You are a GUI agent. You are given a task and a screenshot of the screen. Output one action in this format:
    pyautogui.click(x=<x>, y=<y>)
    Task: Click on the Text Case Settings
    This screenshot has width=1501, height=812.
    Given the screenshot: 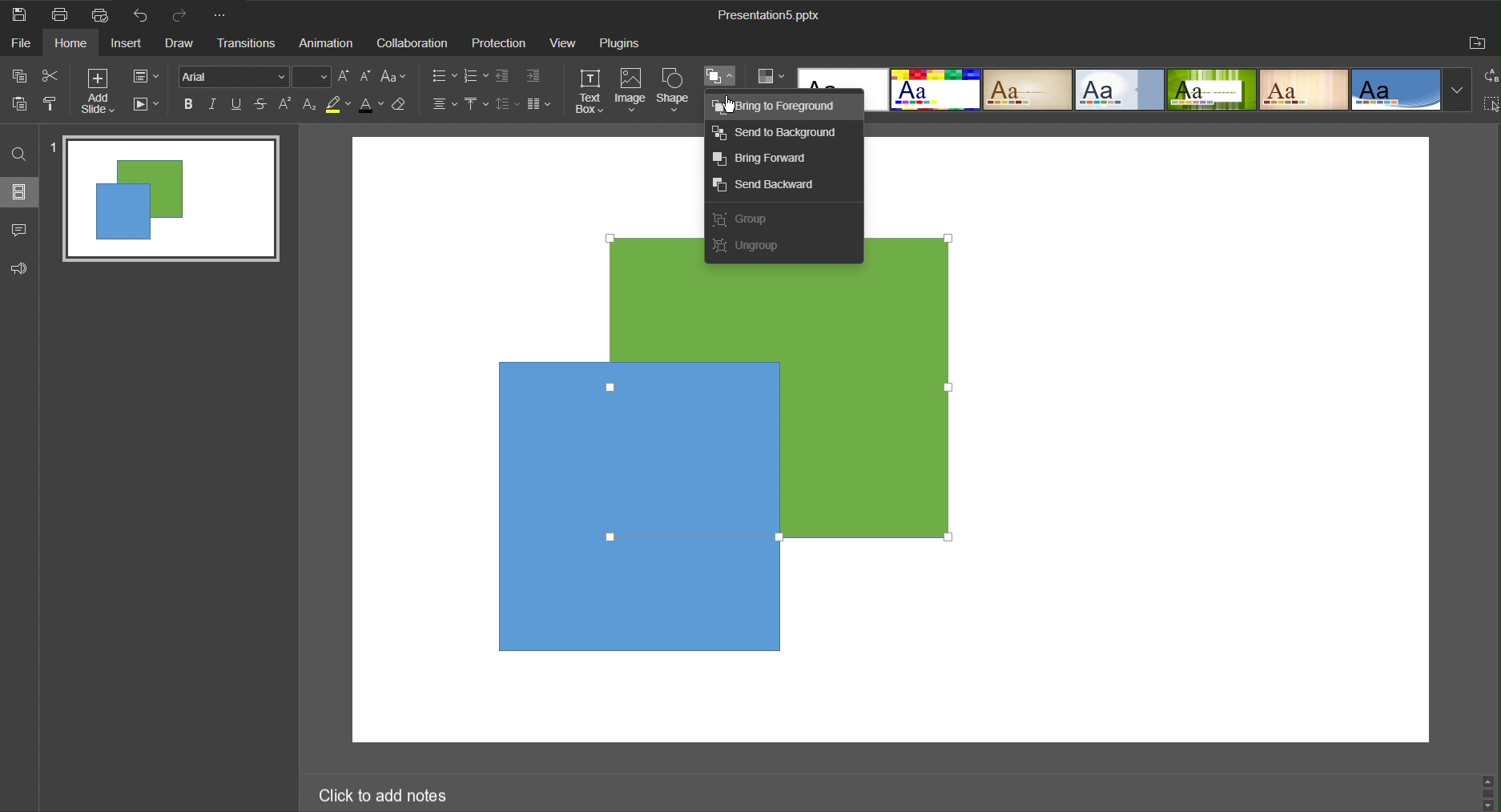 What is the action you would take?
    pyautogui.click(x=399, y=78)
    